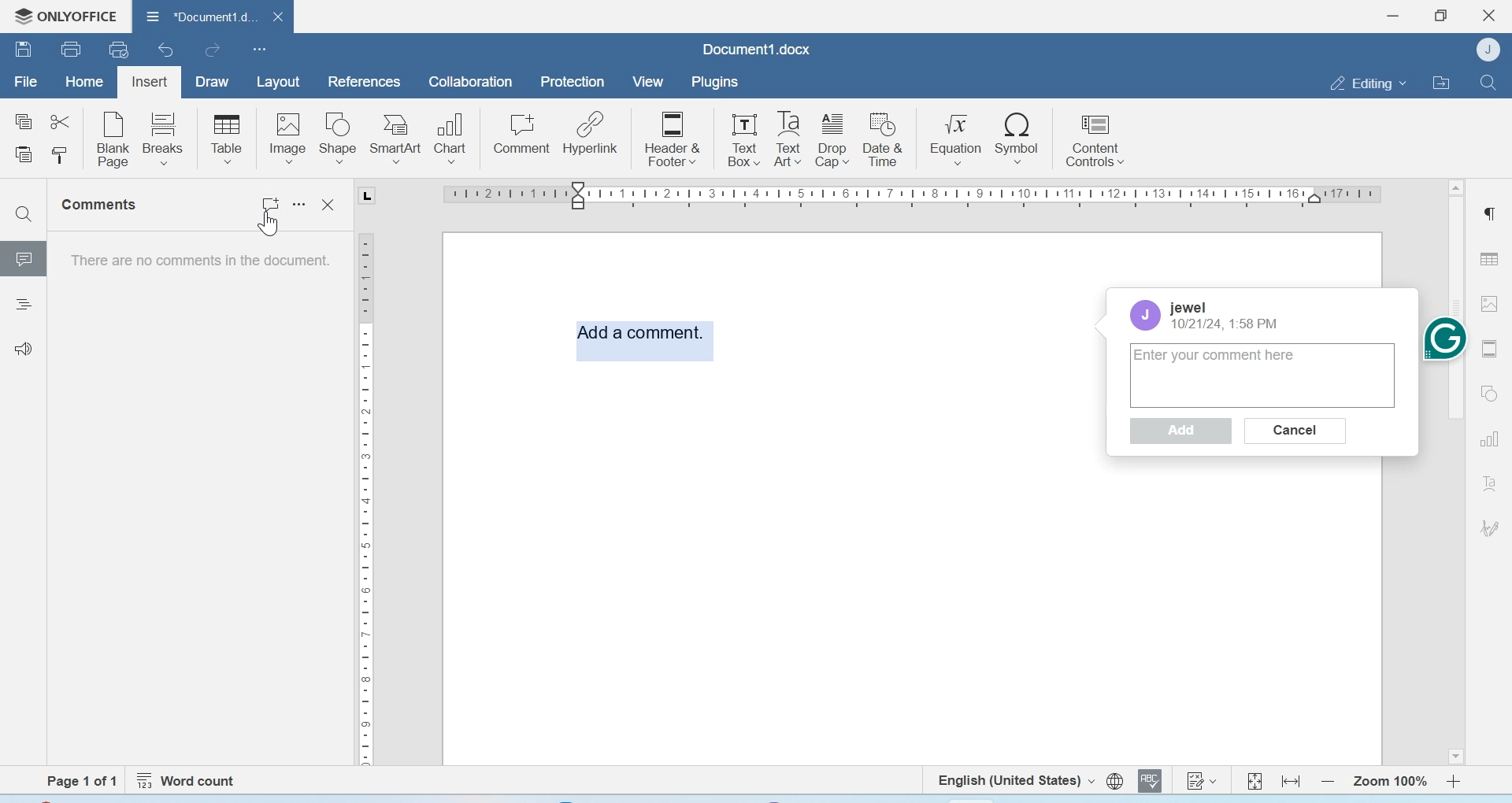  I want to click on Headings, so click(23, 306).